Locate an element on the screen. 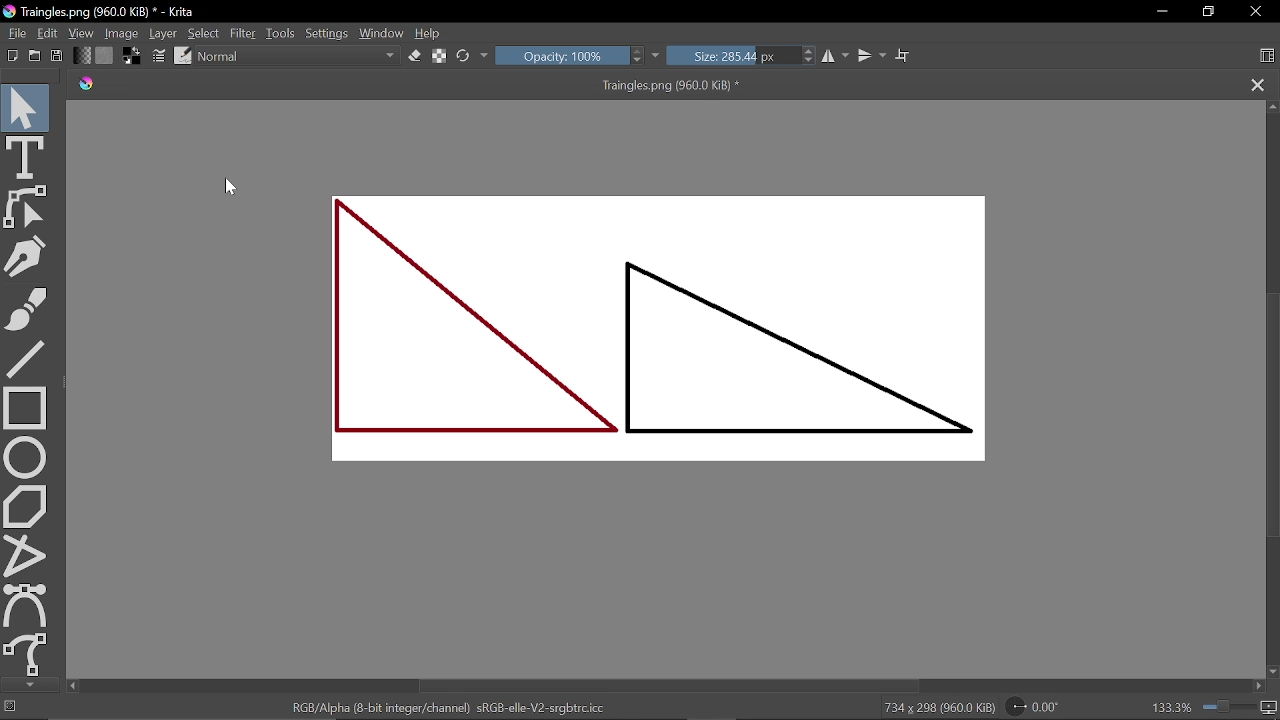 This screenshot has width=1280, height=720. Rotation is located at coordinates (1034, 707).